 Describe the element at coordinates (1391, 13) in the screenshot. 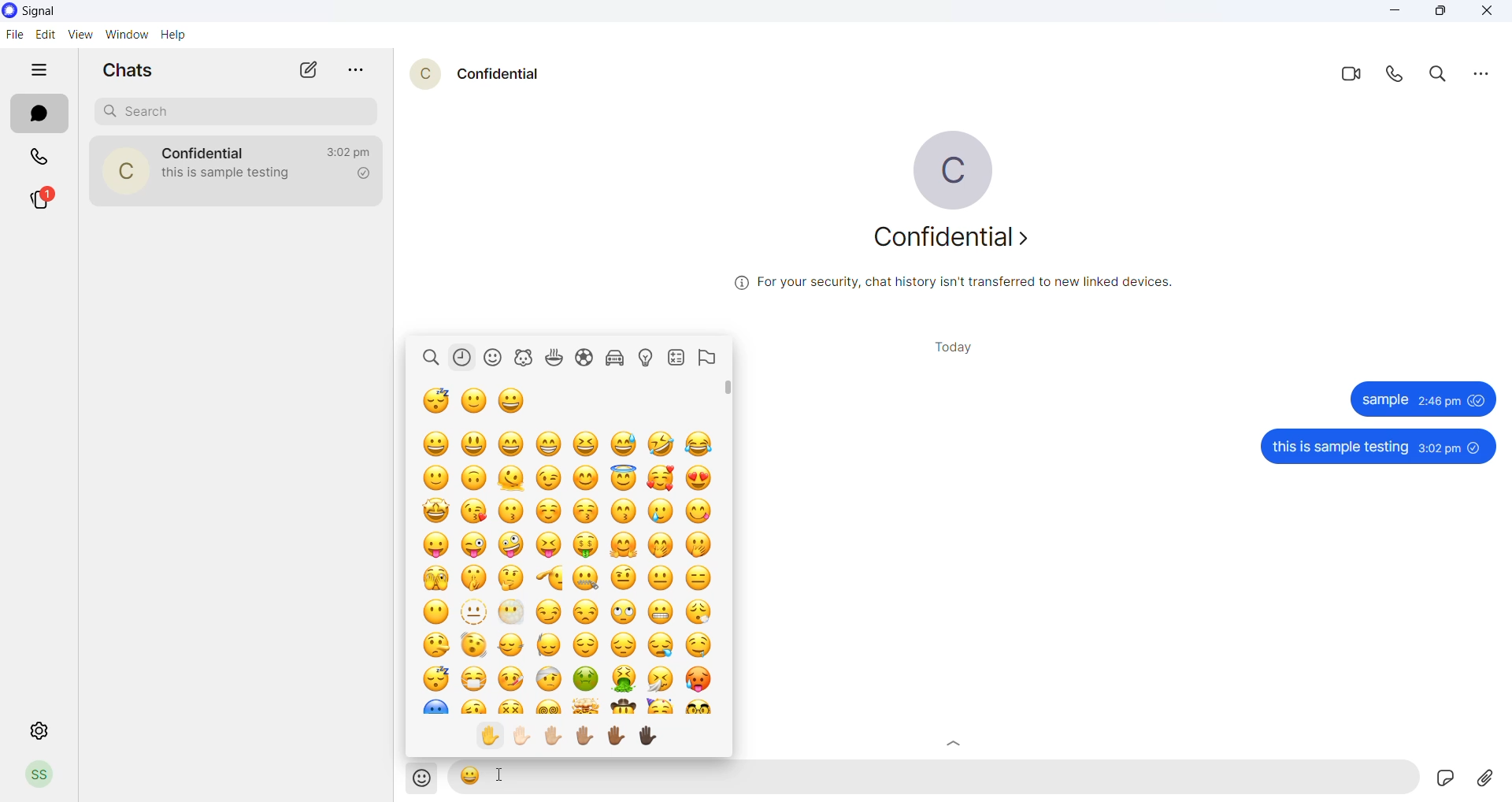

I see `minimize` at that location.